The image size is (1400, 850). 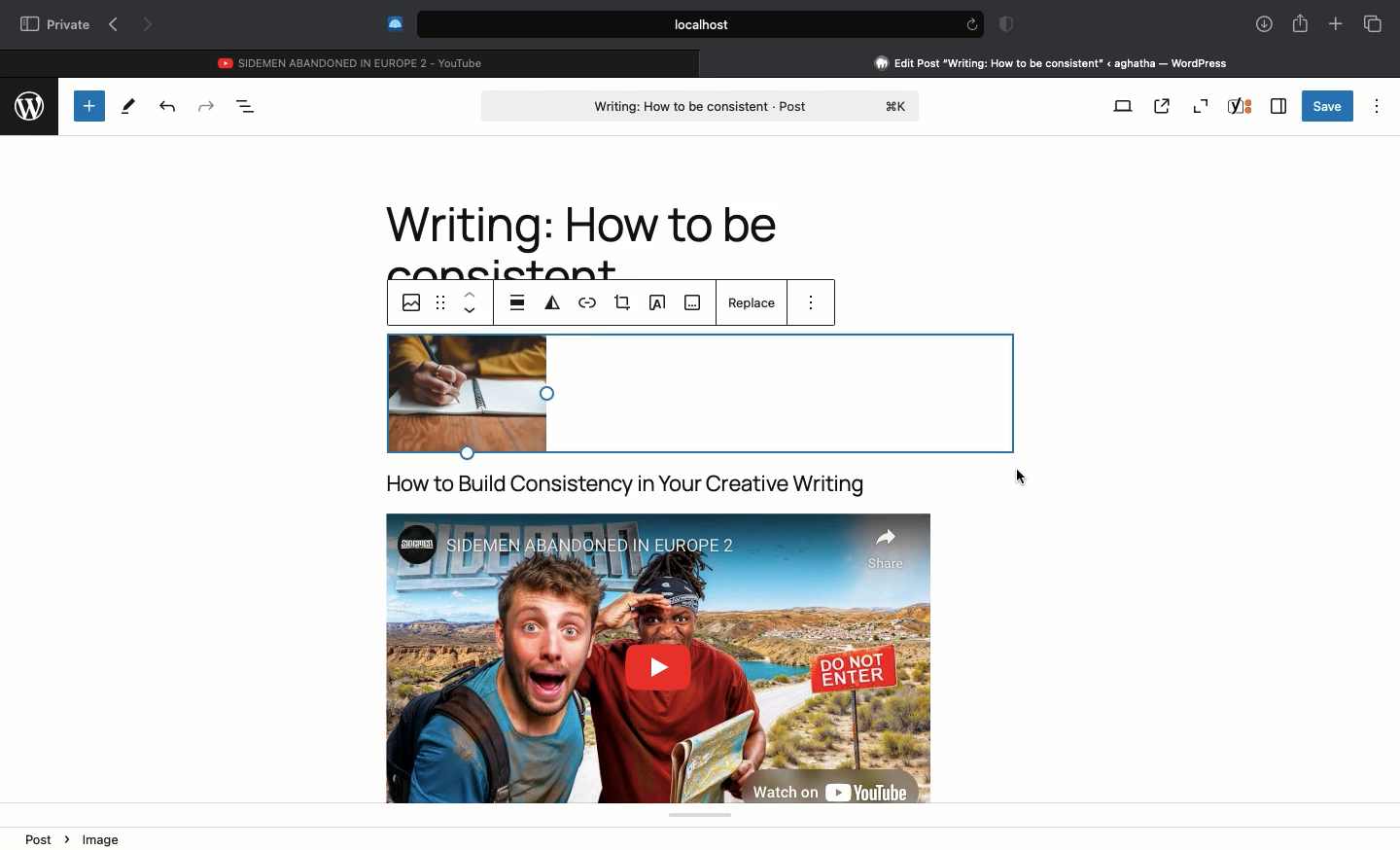 What do you see at coordinates (814, 301) in the screenshot?
I see `more options` at bounding box center [814, 301].